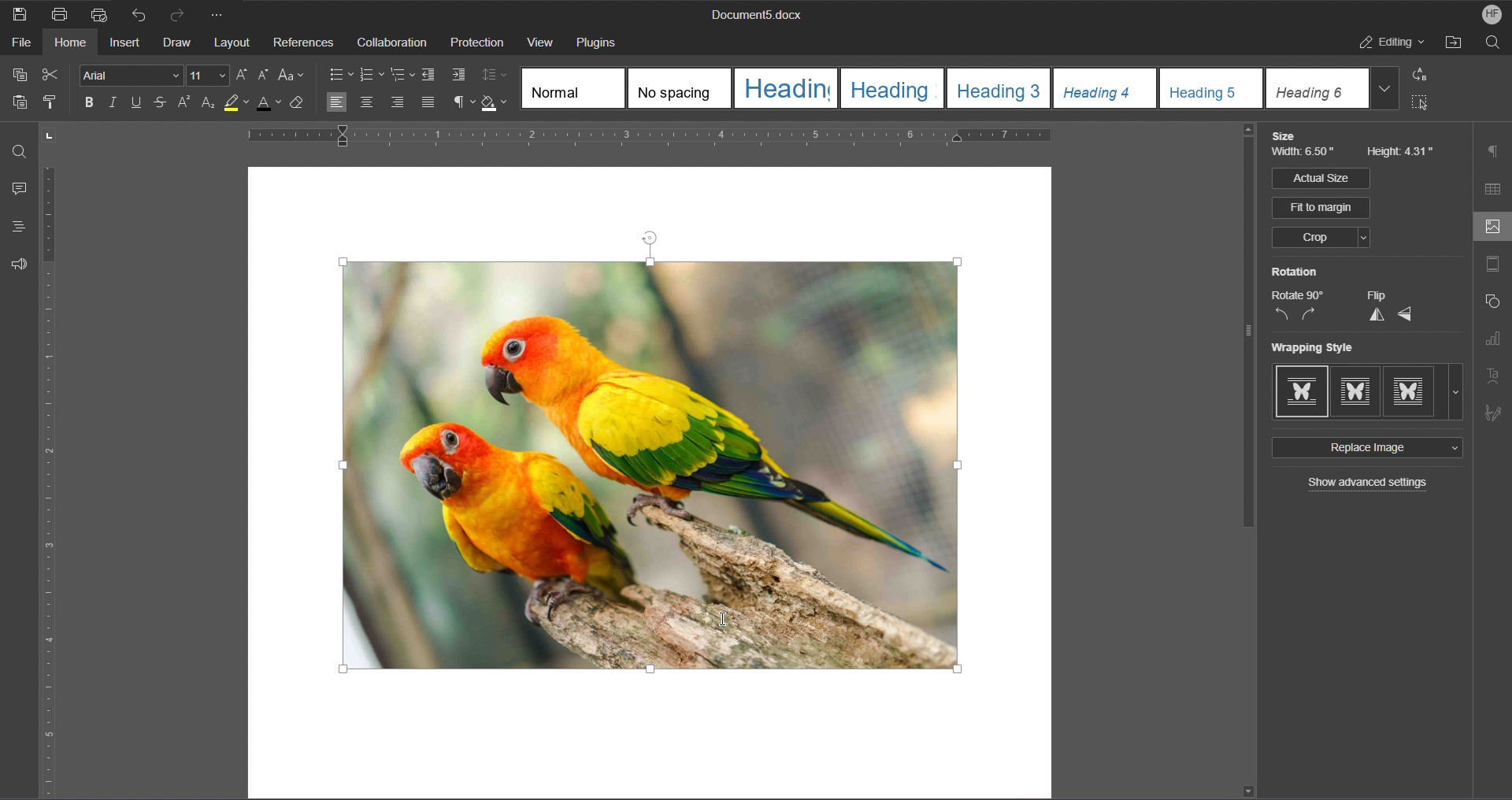 The image size is (1512, 800). Describe the element at coordinates (1493, 409) in the screenshot. I see `Signature` at that location.